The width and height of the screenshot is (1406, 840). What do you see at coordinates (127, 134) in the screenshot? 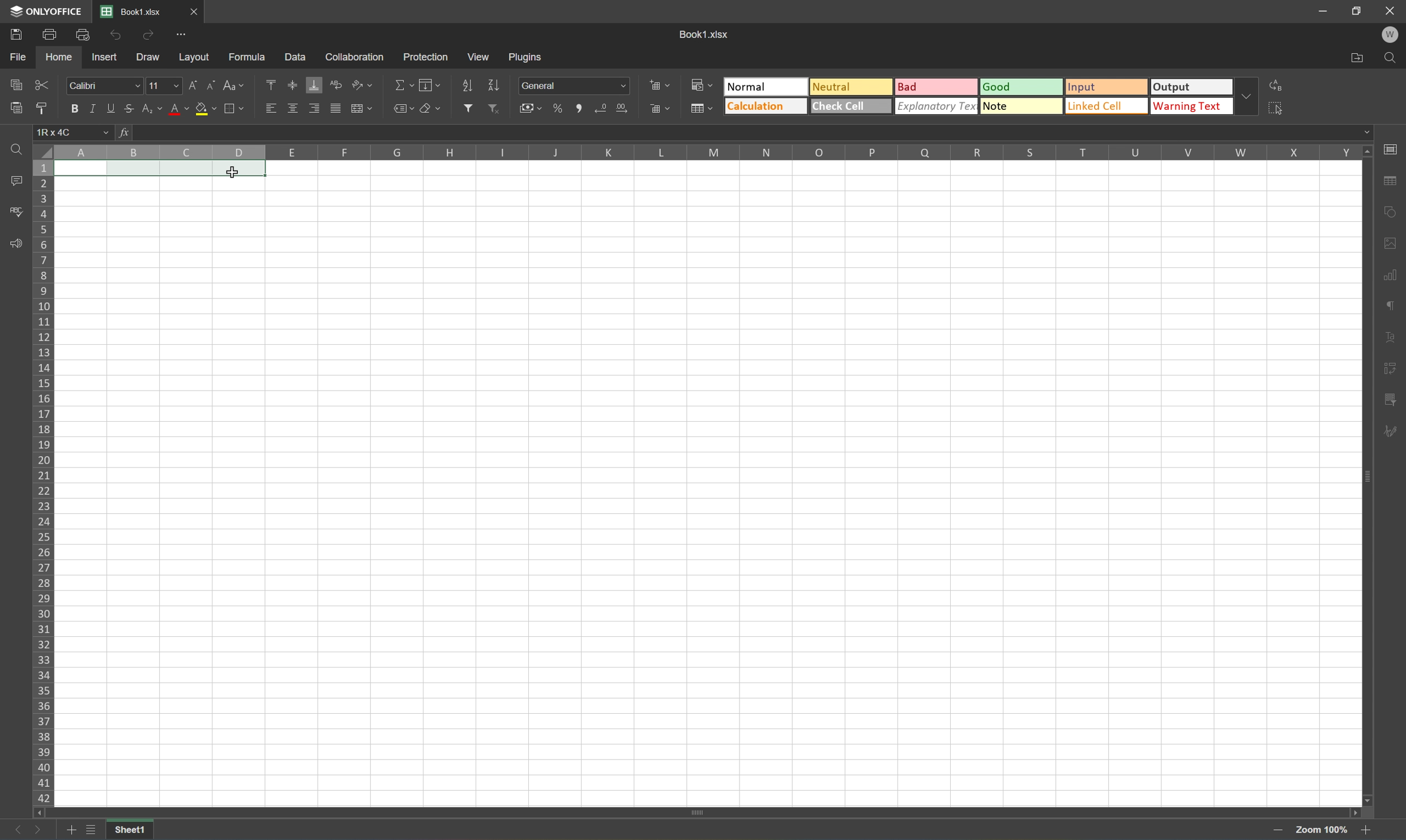
I see `fx` at bounding box center [127, 134].